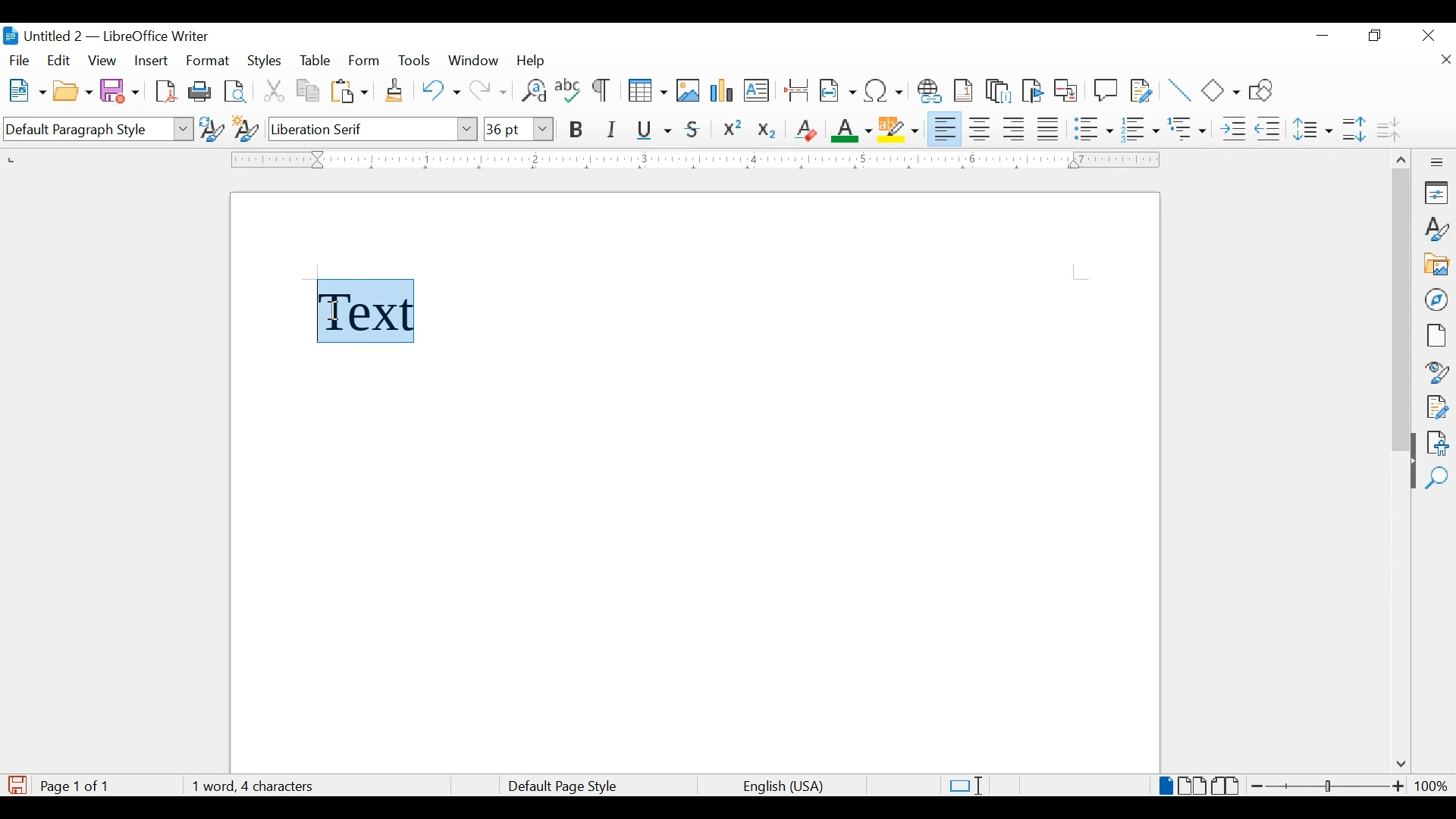 The image size is (1456, 819). Describe the element at coordinates (1437, 265) in the screenshot. I see `gallery` at that location.